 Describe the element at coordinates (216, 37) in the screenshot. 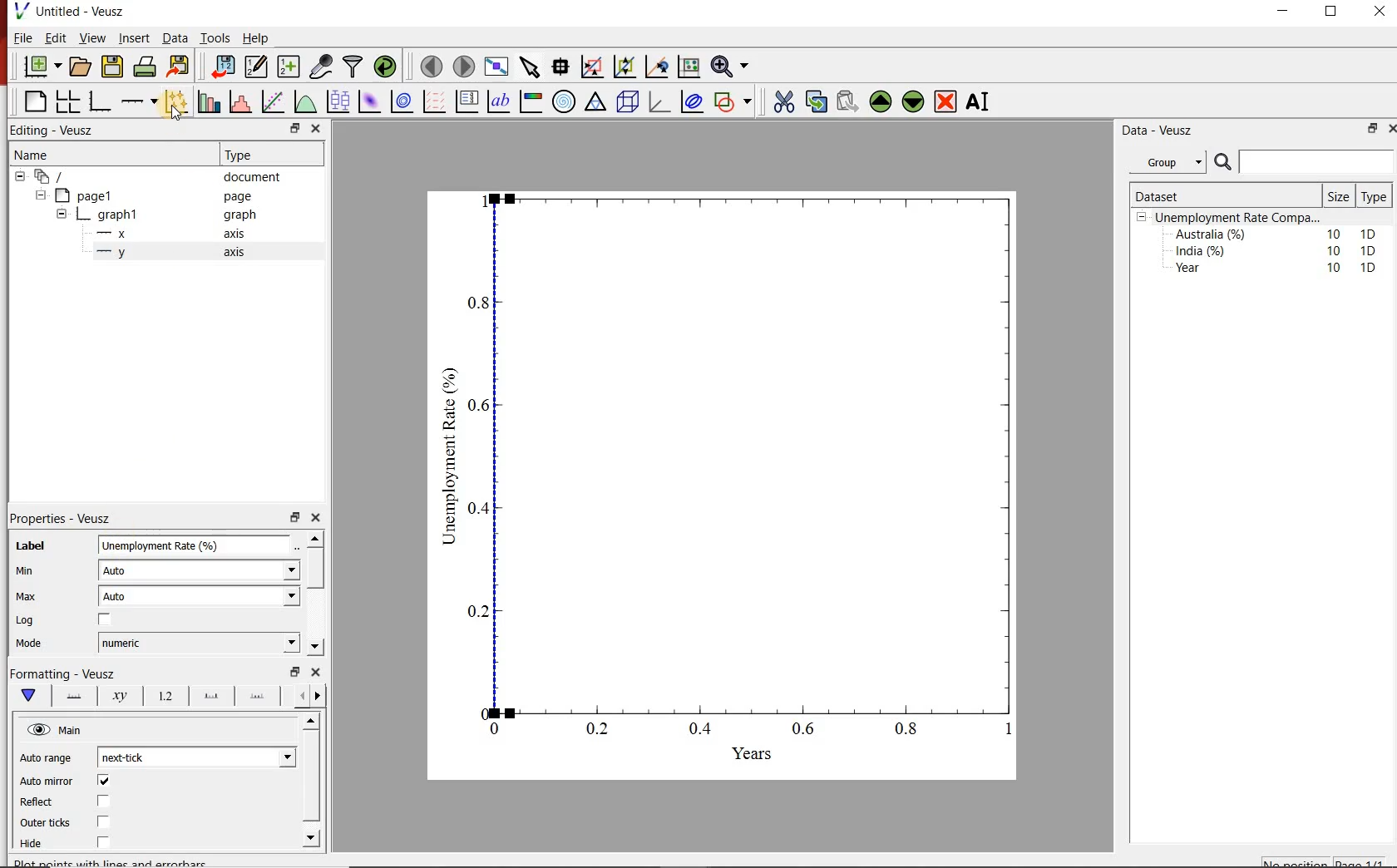

I see `Tools` at that location.